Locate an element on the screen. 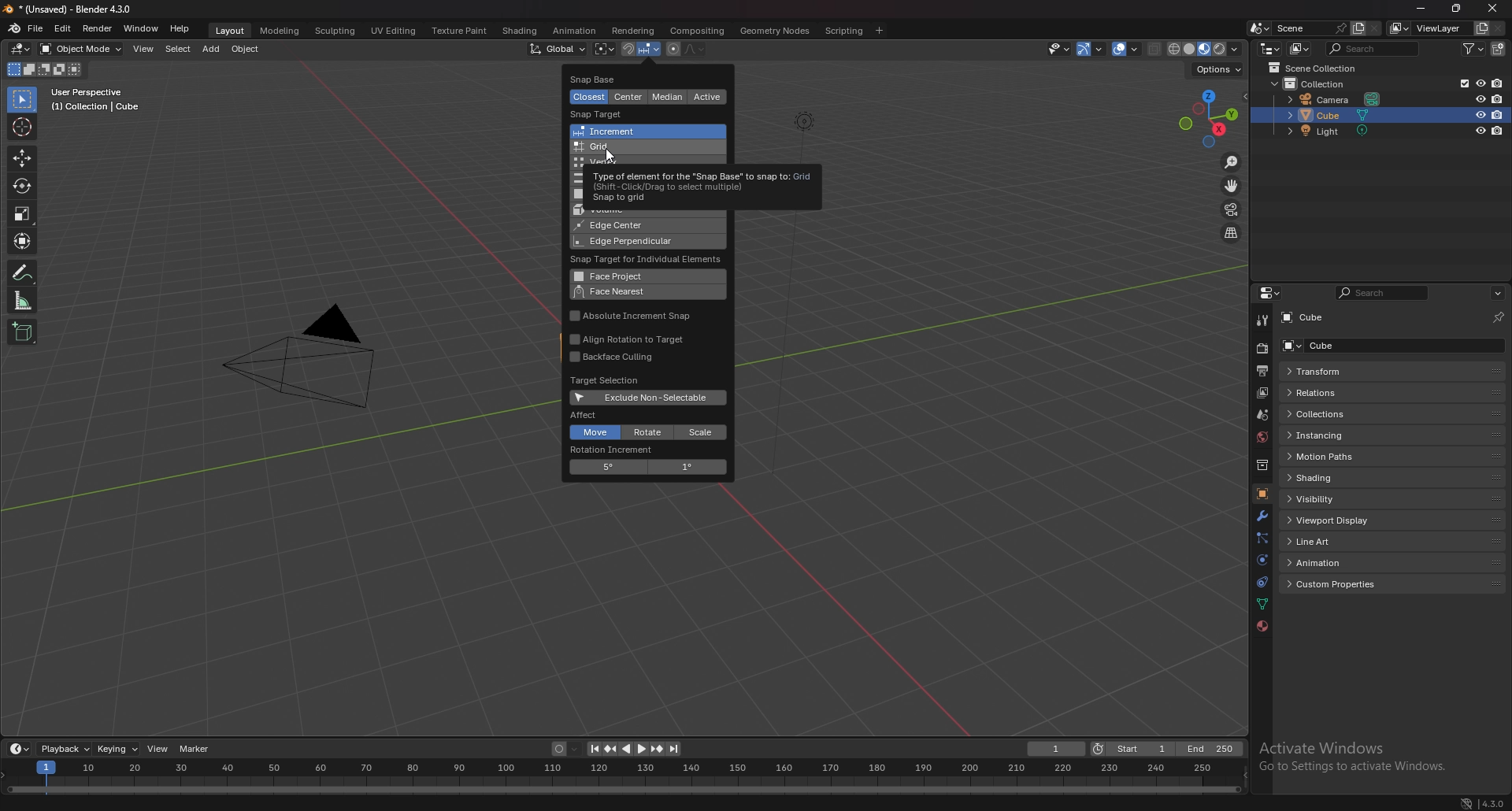 This screenshot has height=811, width=1512. modifier is located at coordinates (1262, 516).